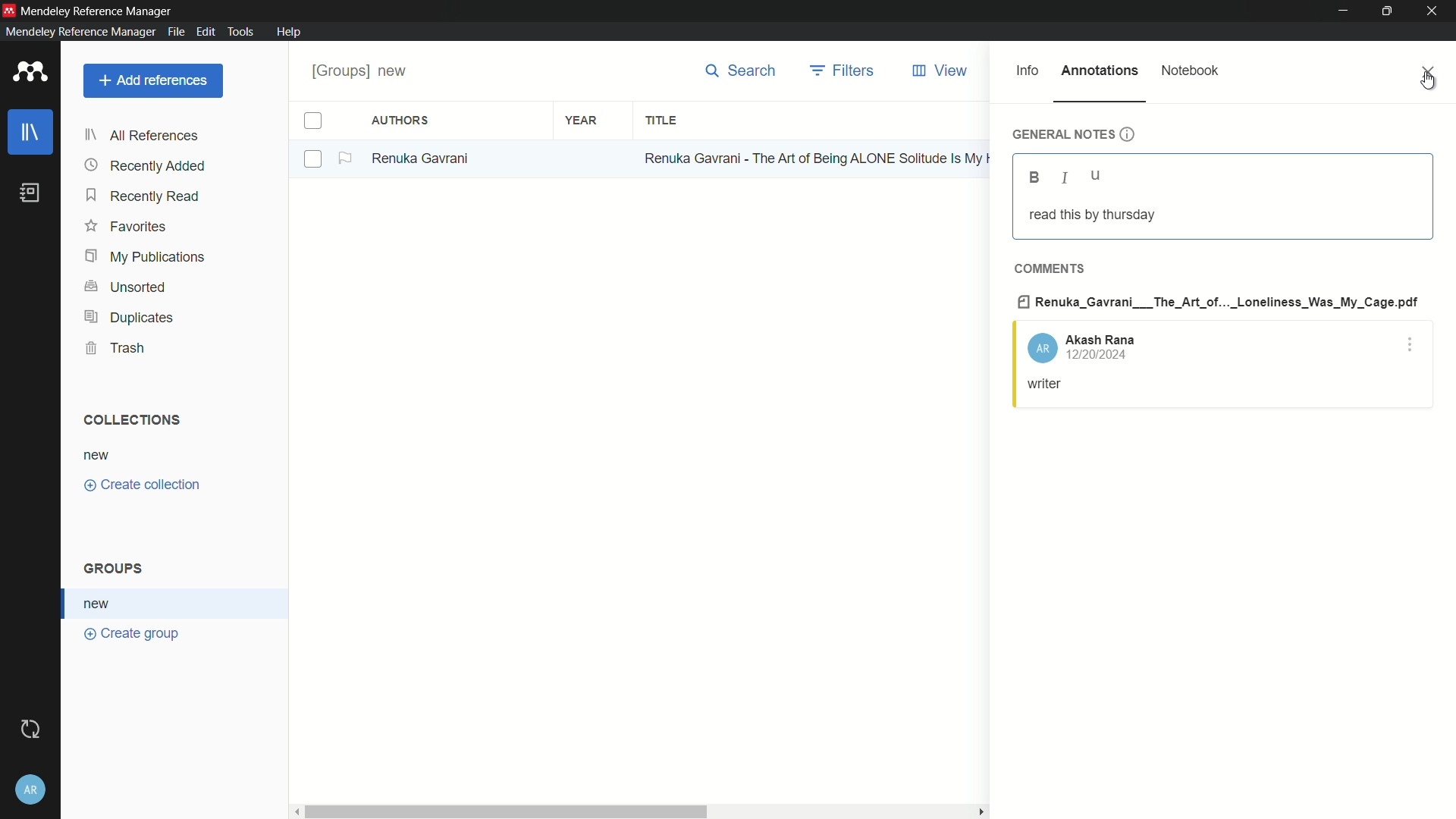 The height and width of the screenshot is (819, 1456). I want to click on groups new, so click(365, 71).